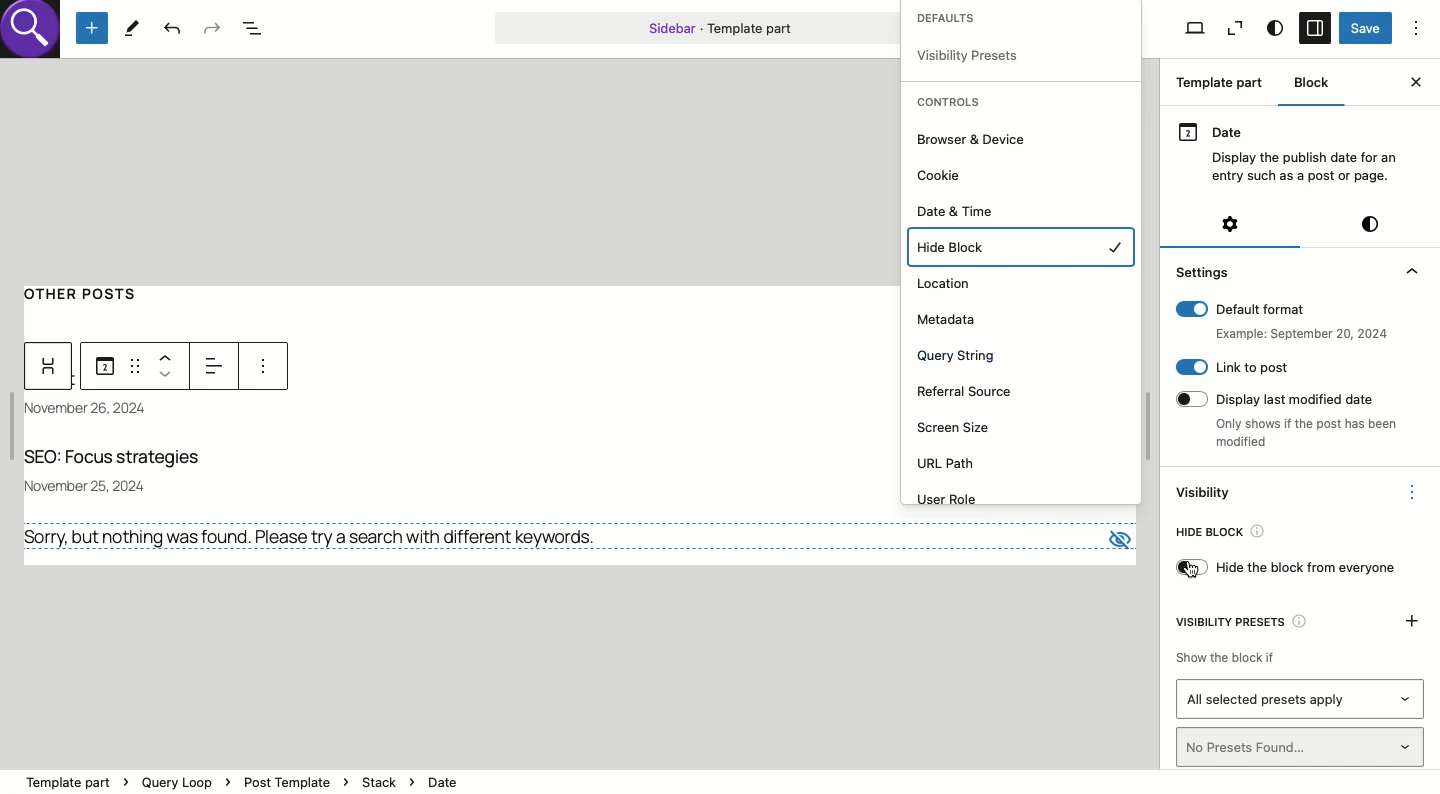  Describe the element at coordinates (1229, 224) in the screenshot. I see `Settings` at that location.